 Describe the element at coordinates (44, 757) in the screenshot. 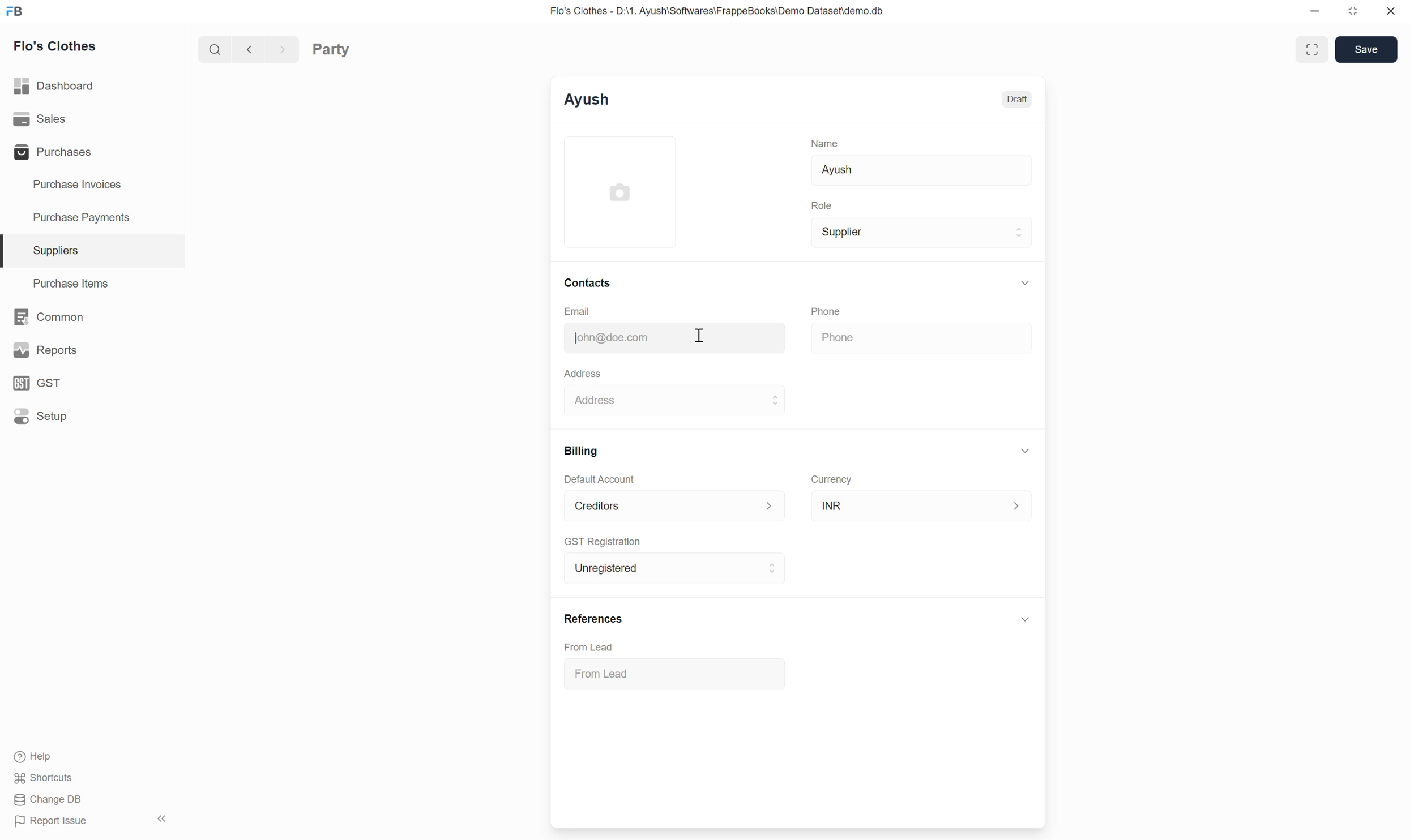

I see `Help` at that location.